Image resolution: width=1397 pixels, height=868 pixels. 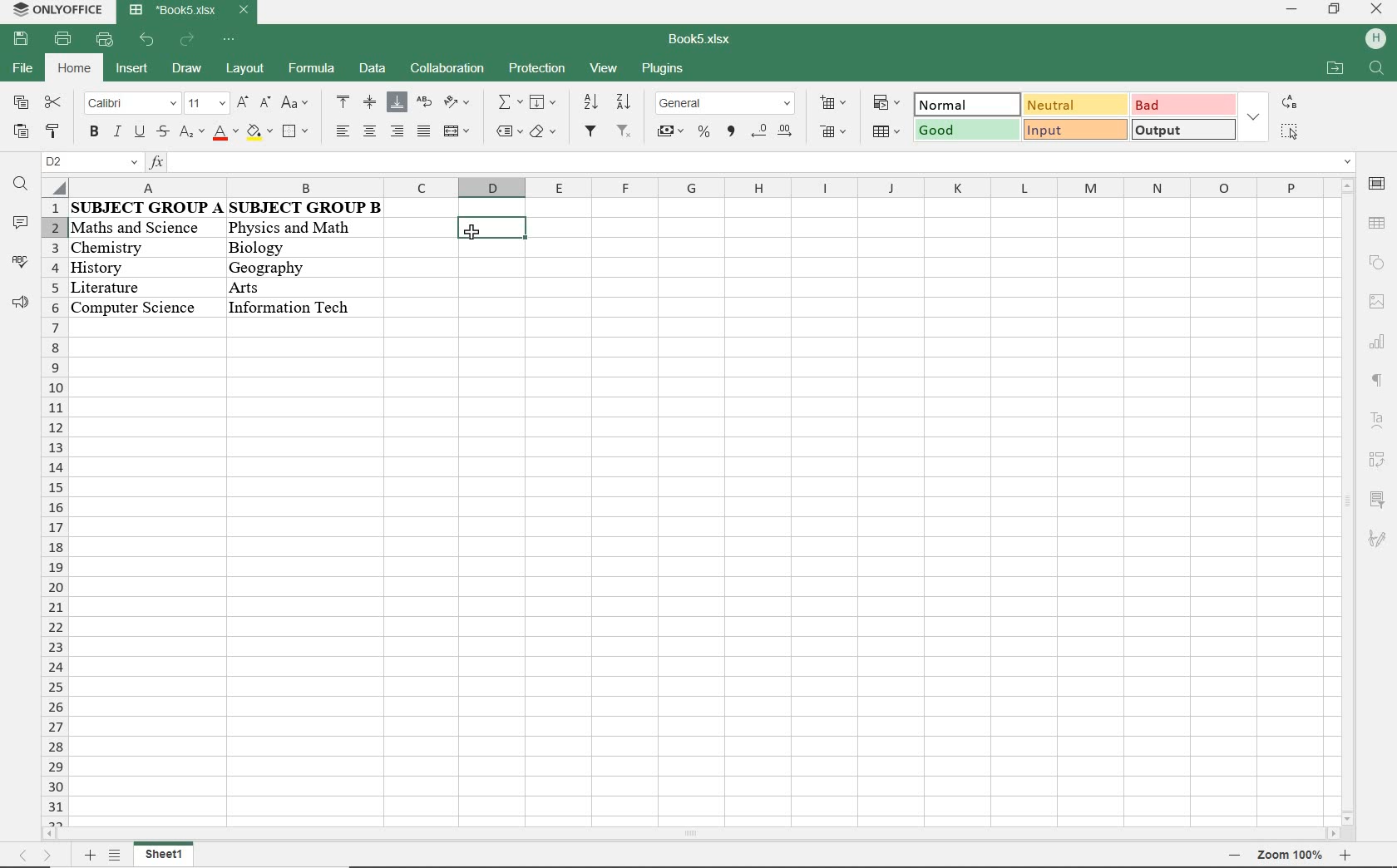 I want to click on align top, so click(x=343, y=101).